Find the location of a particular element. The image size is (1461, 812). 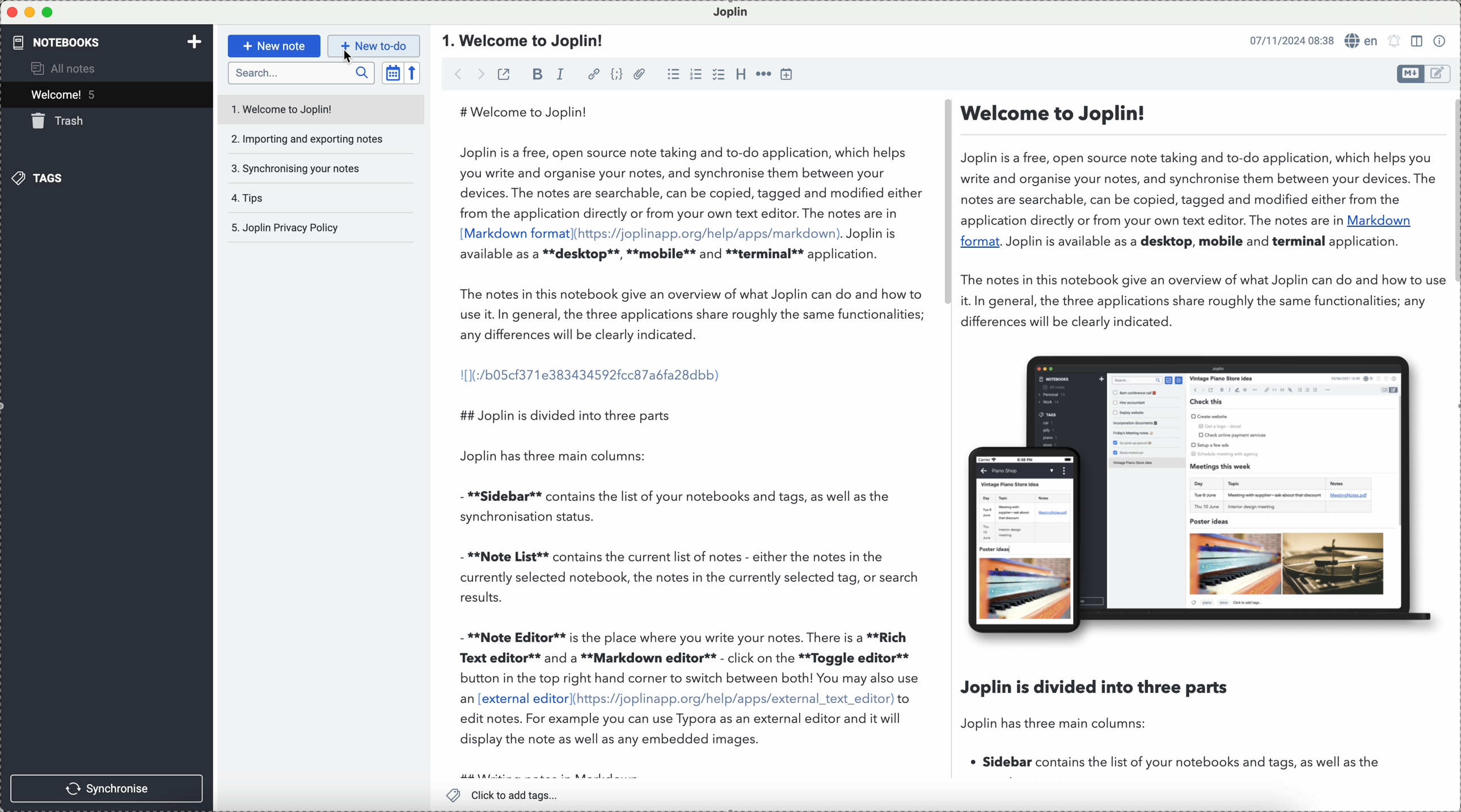

workspace is located at coordinates (943, 436).